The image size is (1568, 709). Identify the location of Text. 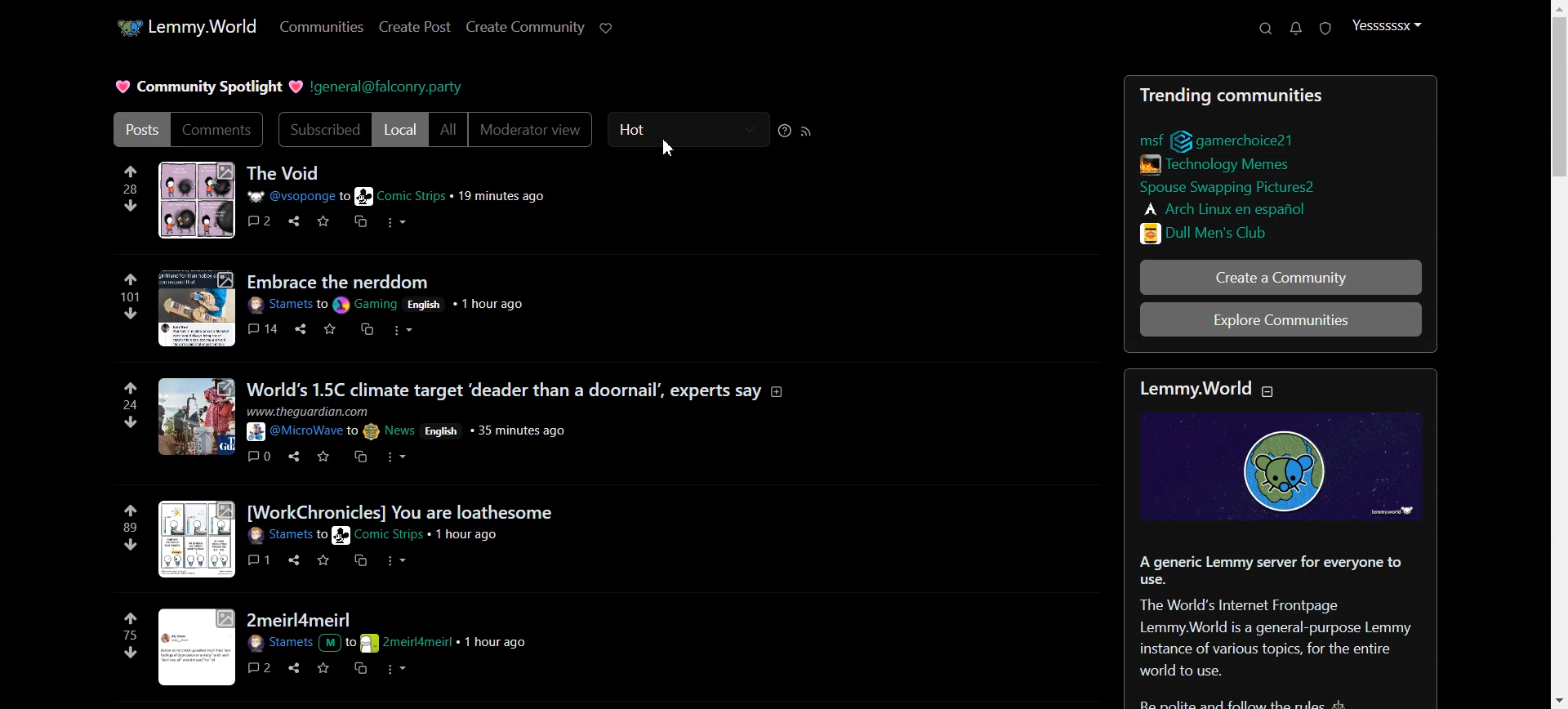
(1282, 631).